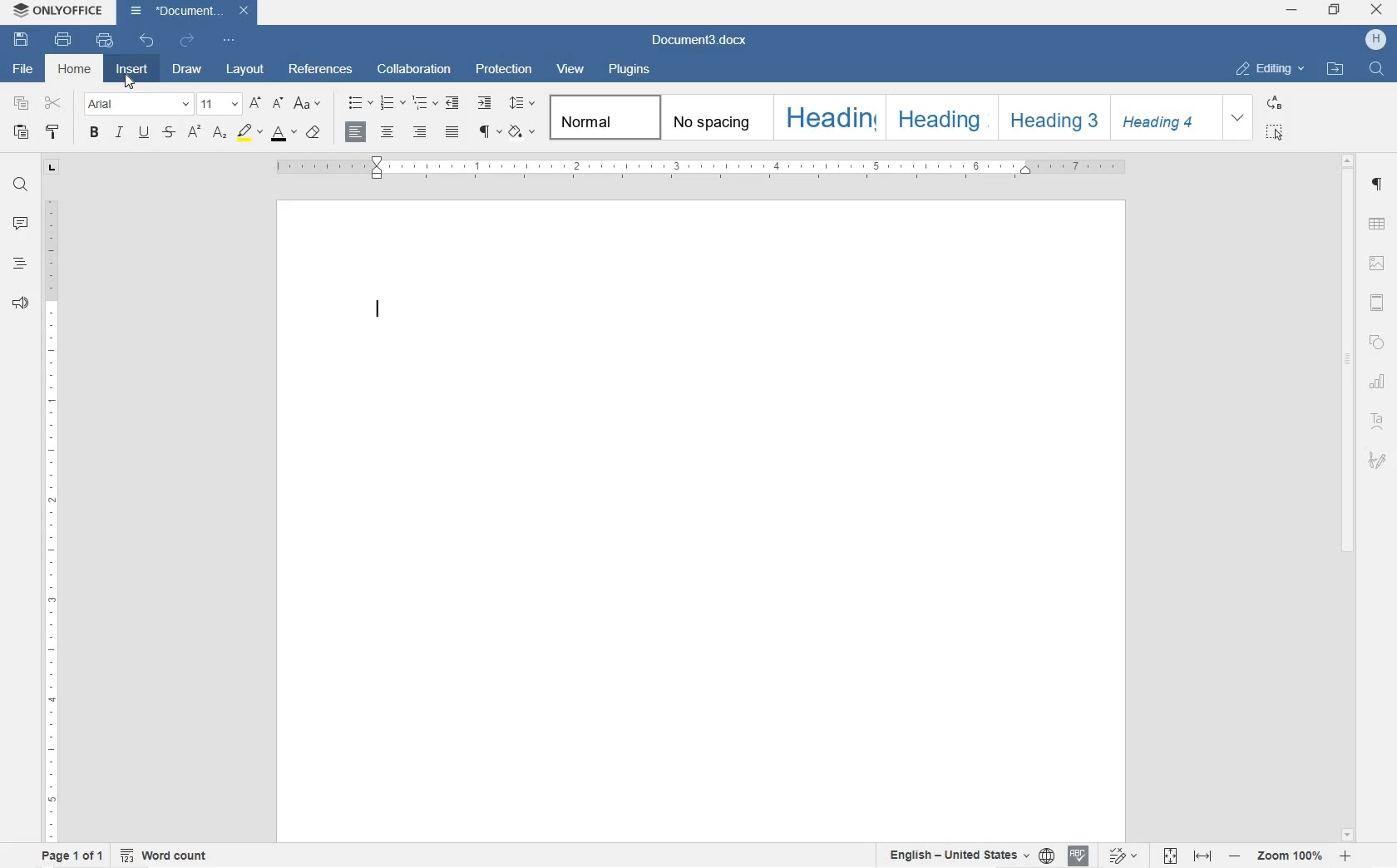 The height and width of the screenshot is (868, 1397). Describe the element at coordinates (1346, 496) in the screenshot. I see `SCROLLBAR` at that location.